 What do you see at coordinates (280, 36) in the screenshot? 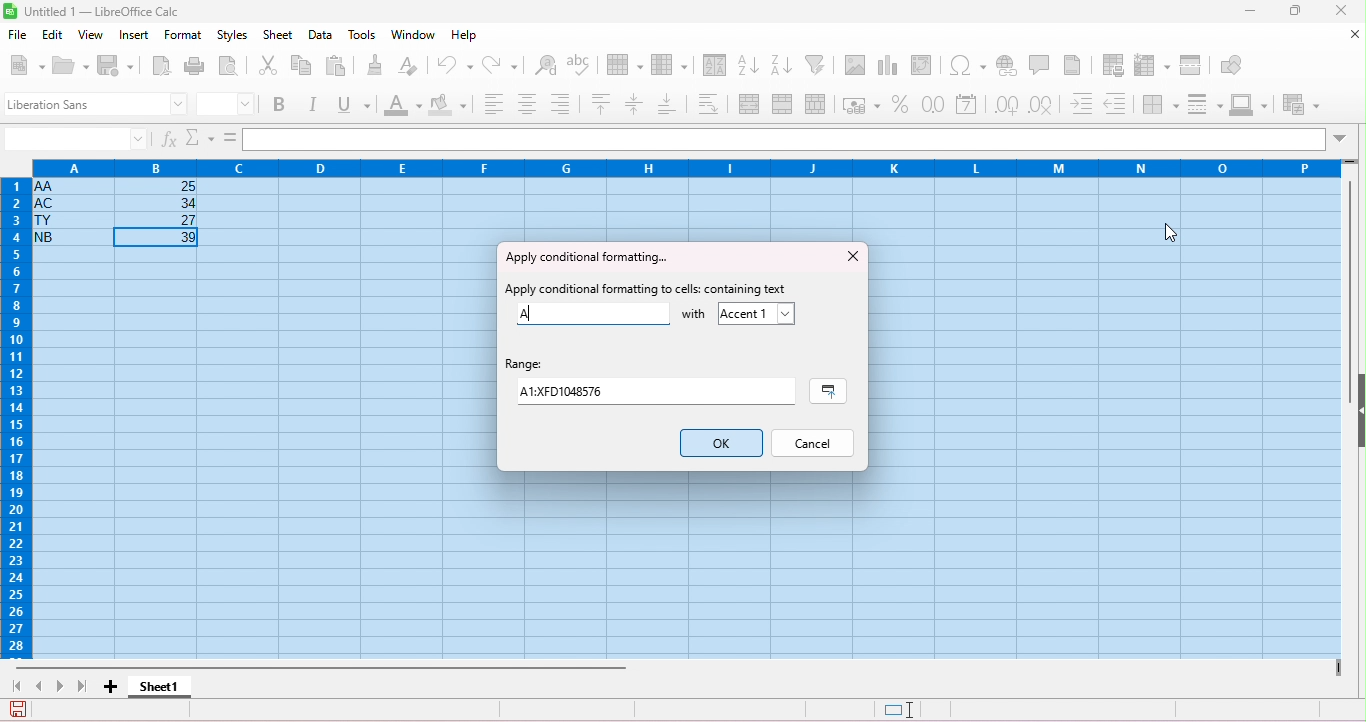
I see `sheet` at bounding box center [280, 36].